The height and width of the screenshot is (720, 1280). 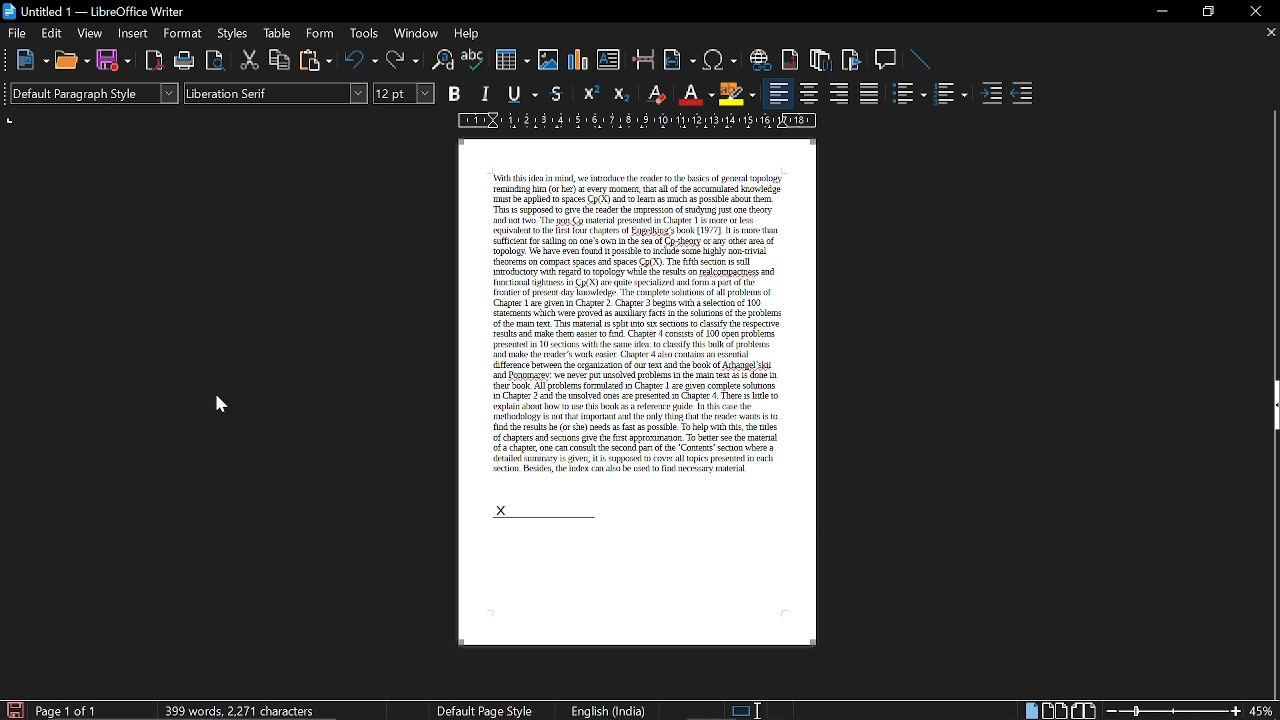 What do you see at coordinates (232, 34) in the screenshot?
I see `styles` at bounding box center [232, 34].